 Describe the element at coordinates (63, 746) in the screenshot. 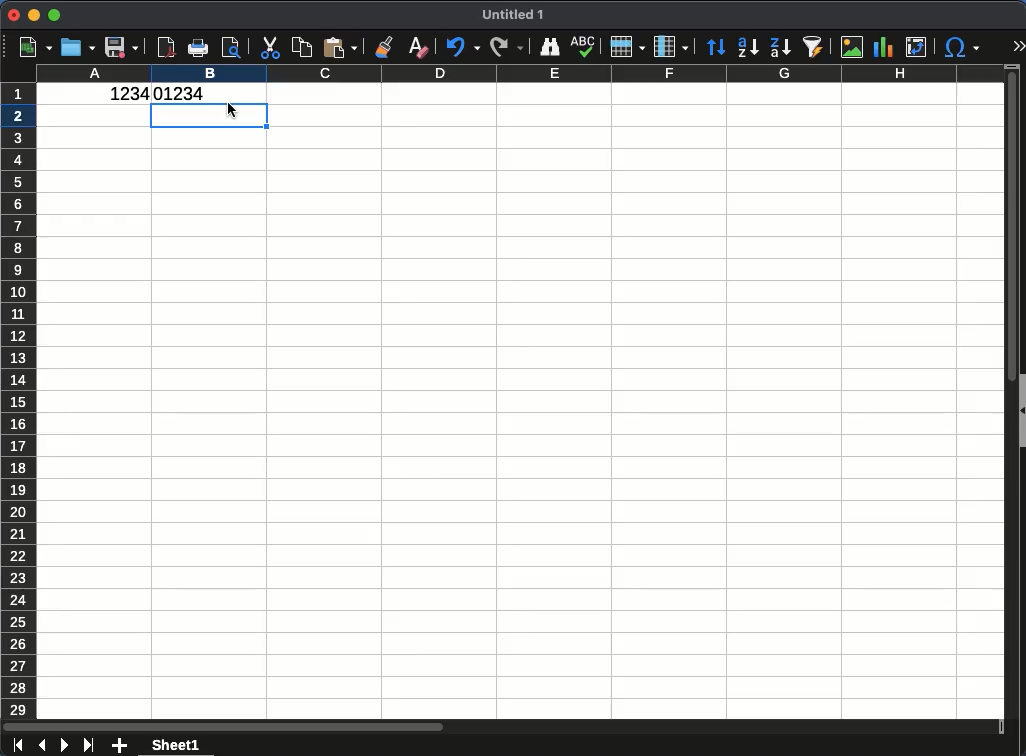

I see `next sheet` at that location.